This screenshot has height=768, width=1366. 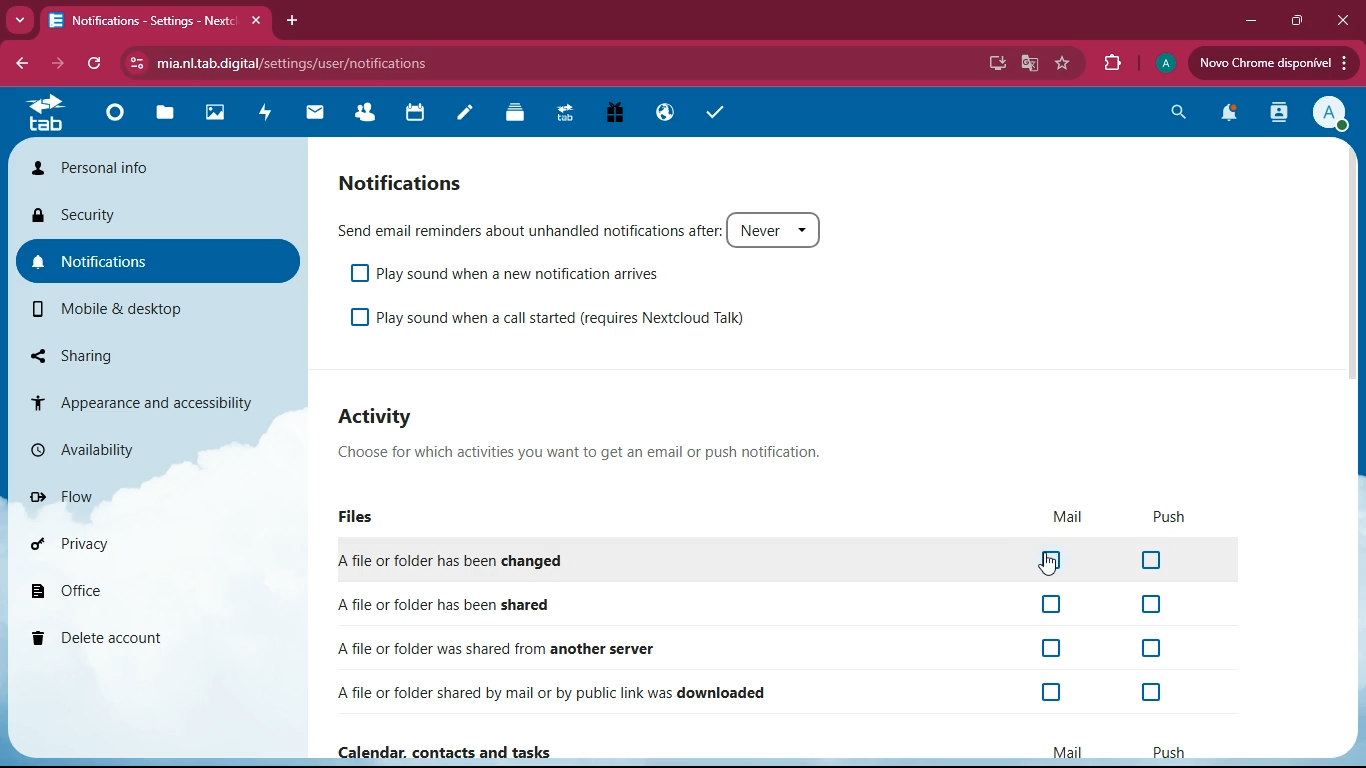 What do you see at coordinates (1256, 22) in the screenshot?
I see `minimize` at bounding box center [1256, 22].